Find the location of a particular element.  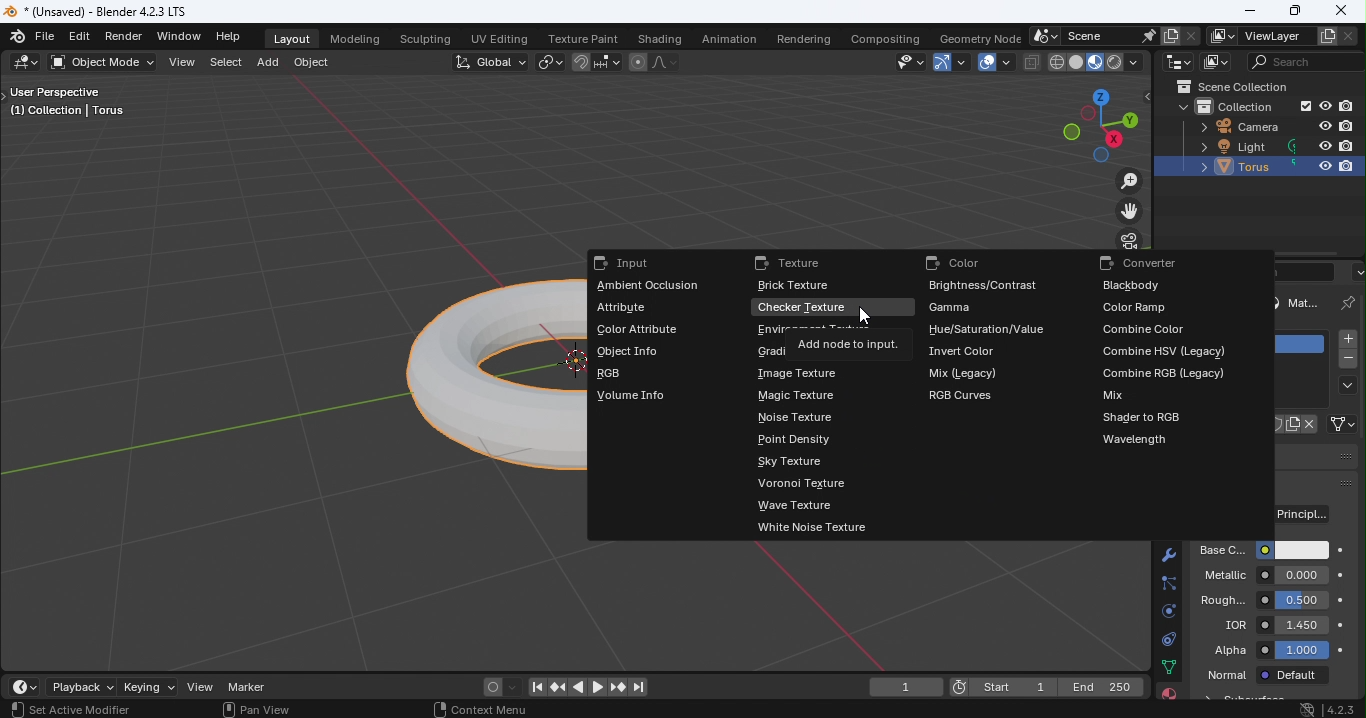

Transform pivot point is located at coordinates (549, 61).